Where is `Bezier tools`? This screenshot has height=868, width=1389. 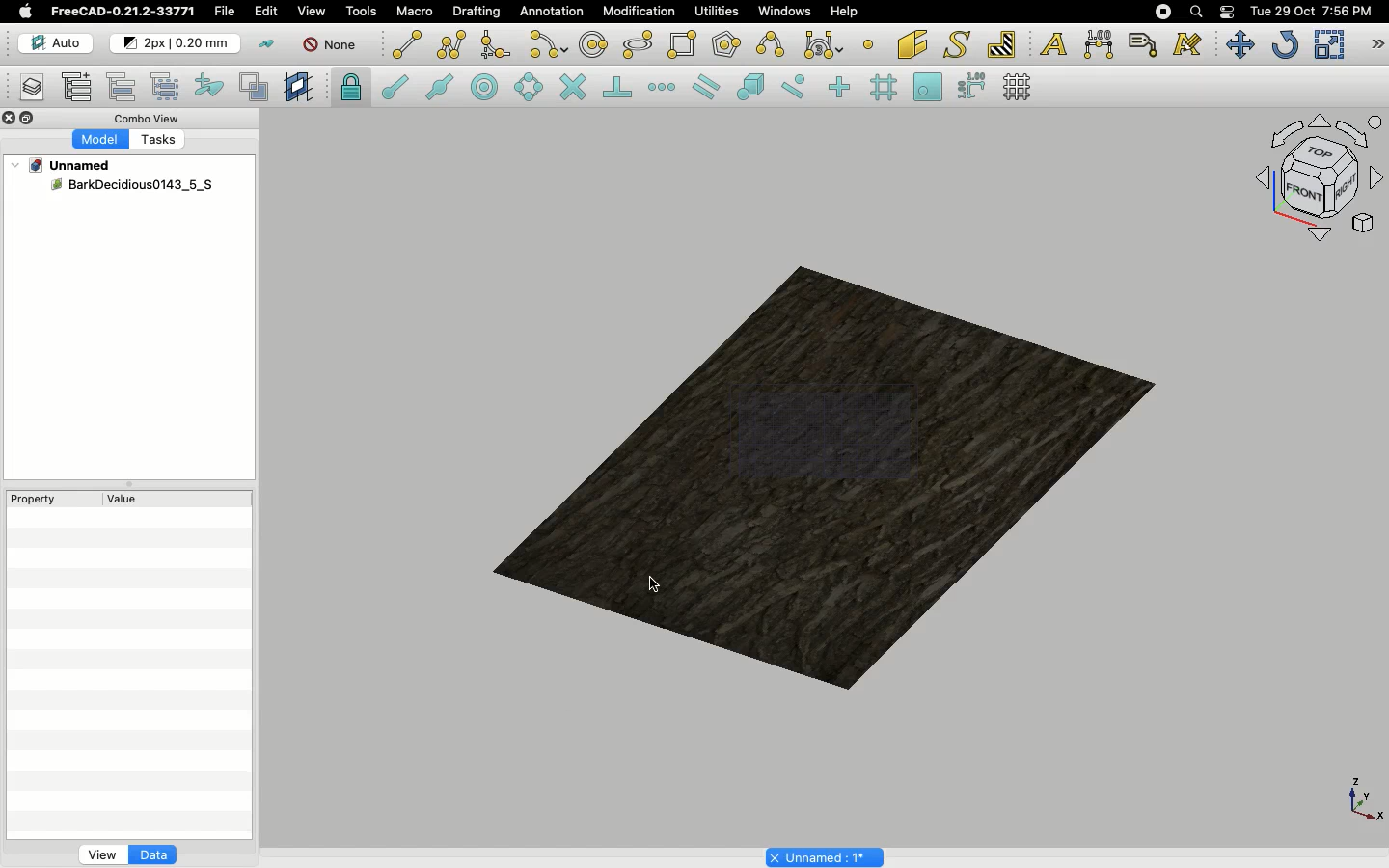
Bezier tools is located at coordinates (826, 44).